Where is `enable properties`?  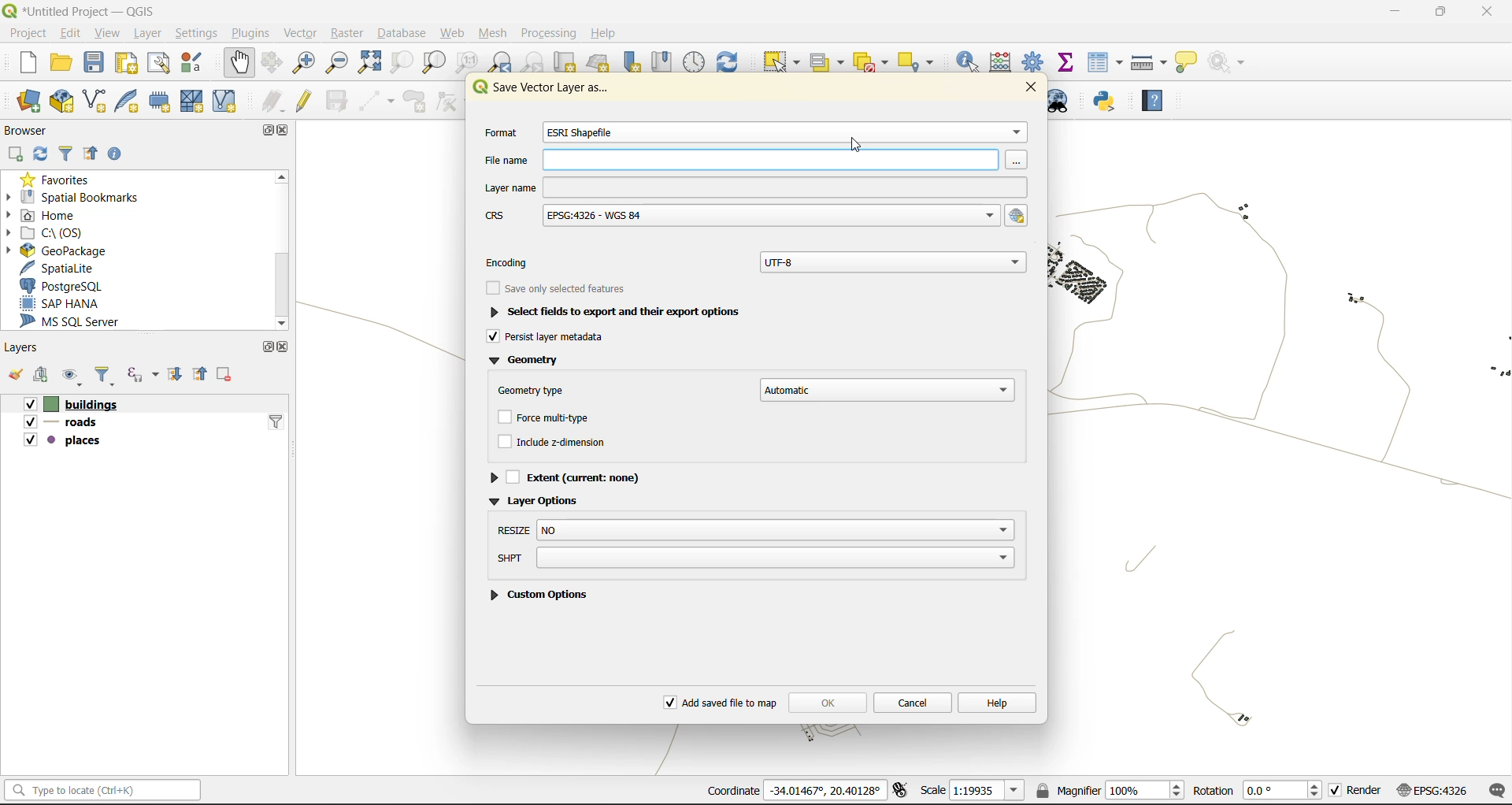 enable properties is located at coordinates (119, 152).